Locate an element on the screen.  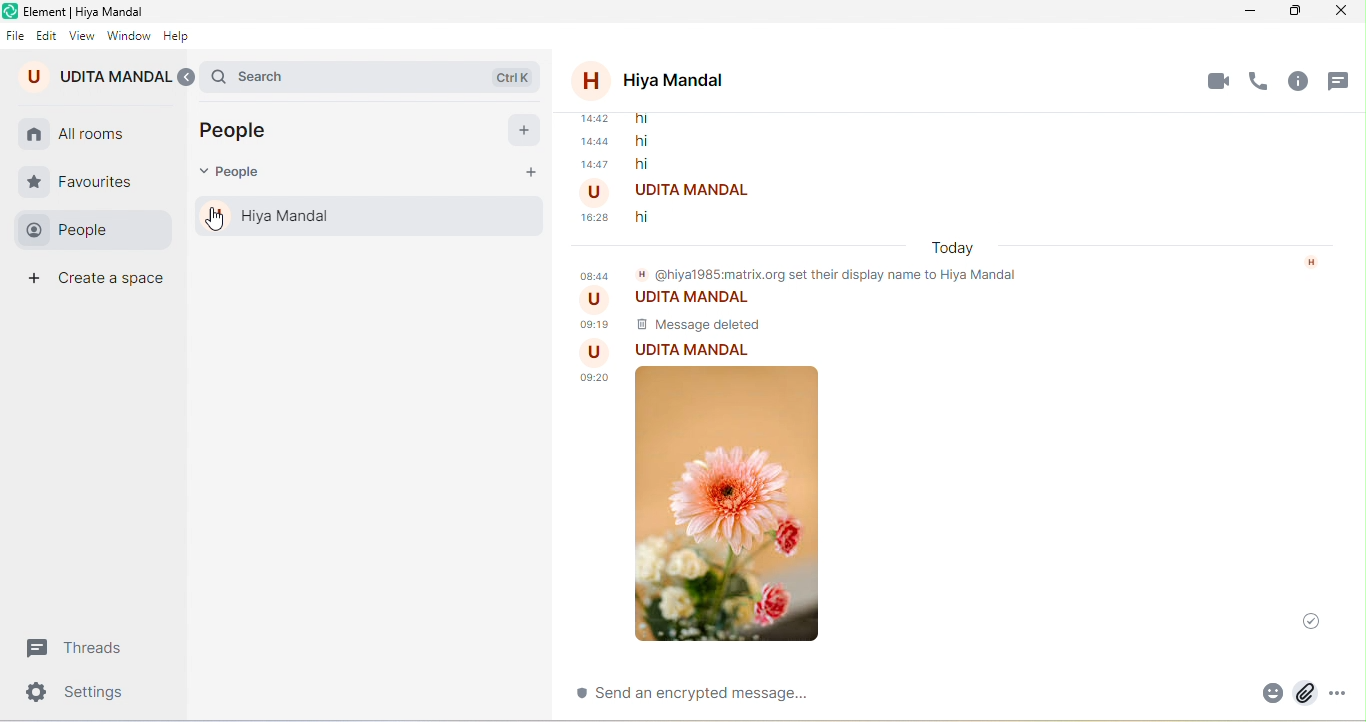
udita mandal is located at coordinates (693, 350).